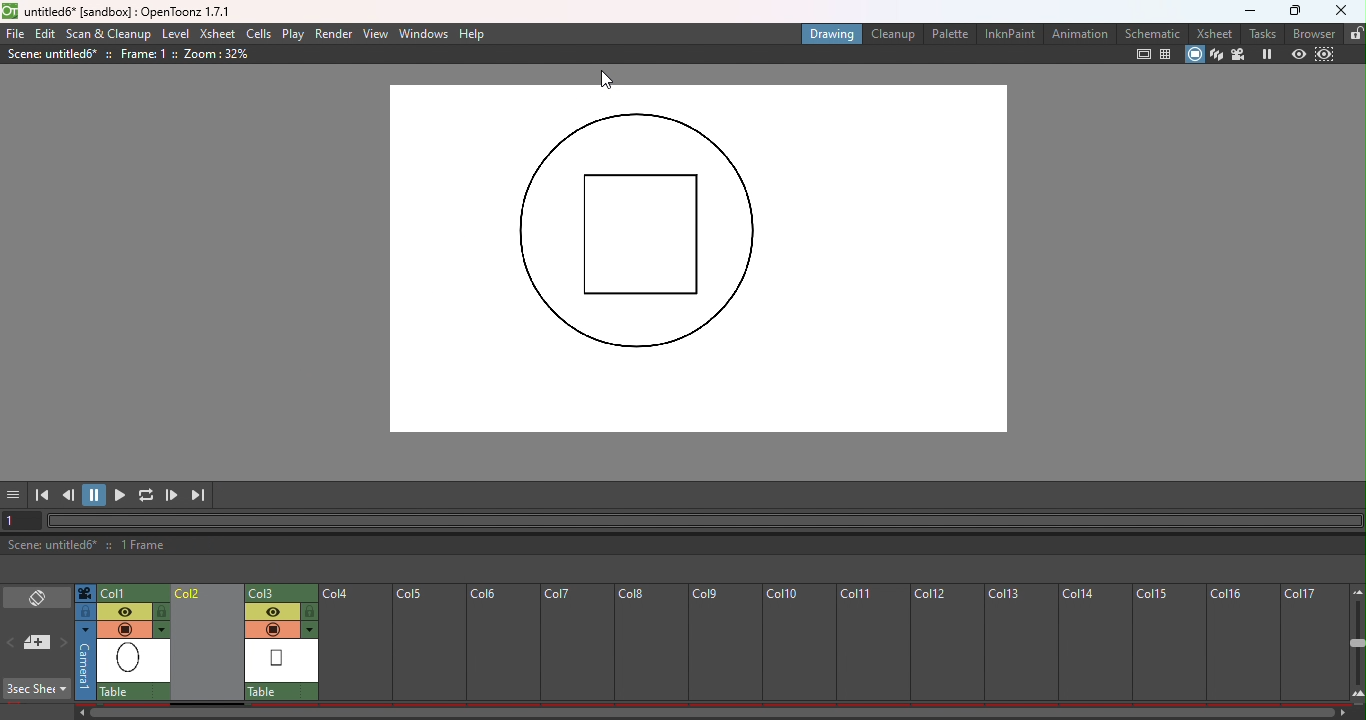 This screenshot has height=720, width=1366. What do you see at coordinates (1143, 56) in the screenshot?
I see `Safe area` at bounding box center [1143, 56].